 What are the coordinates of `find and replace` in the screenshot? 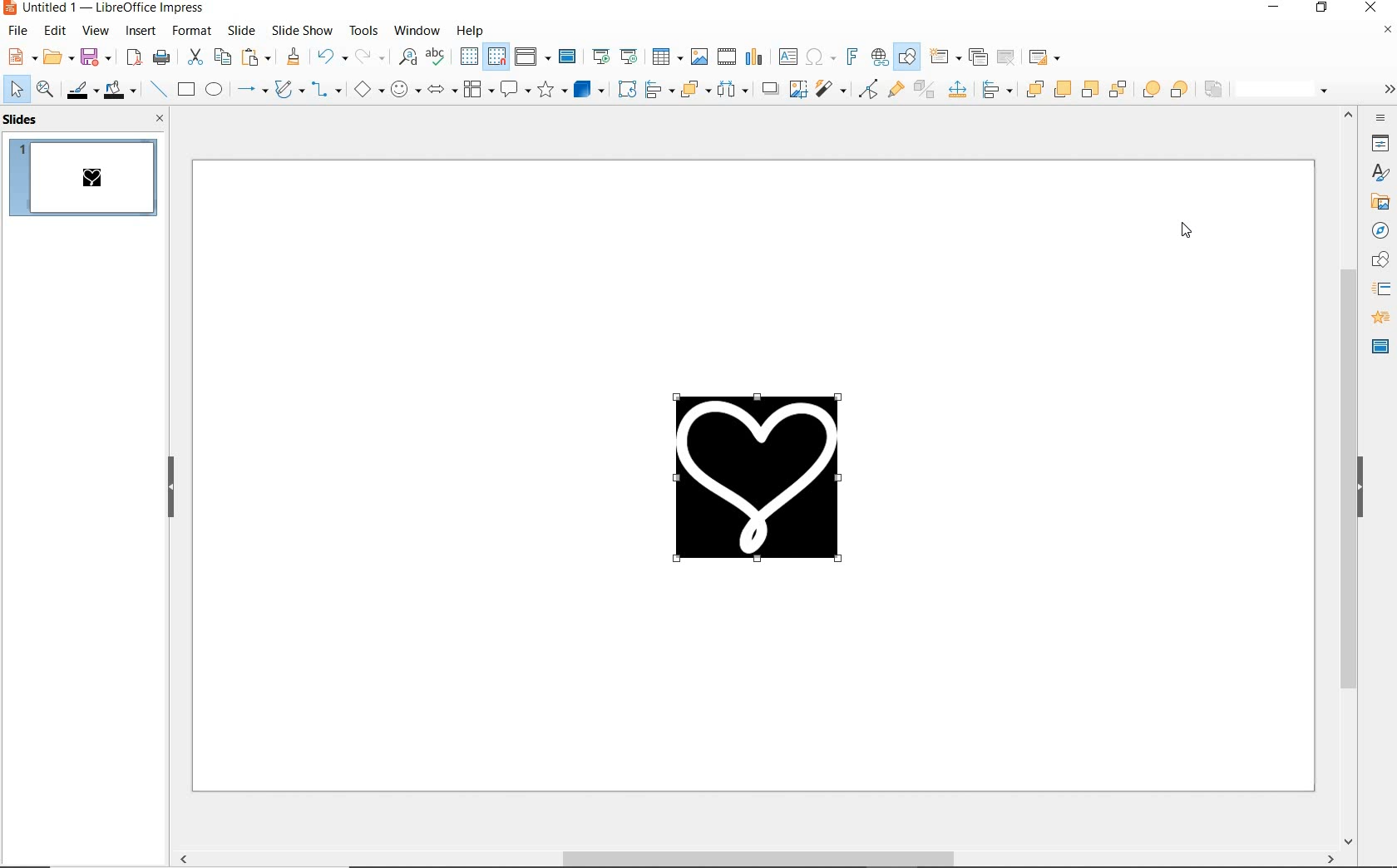 It's located at (408, 58).